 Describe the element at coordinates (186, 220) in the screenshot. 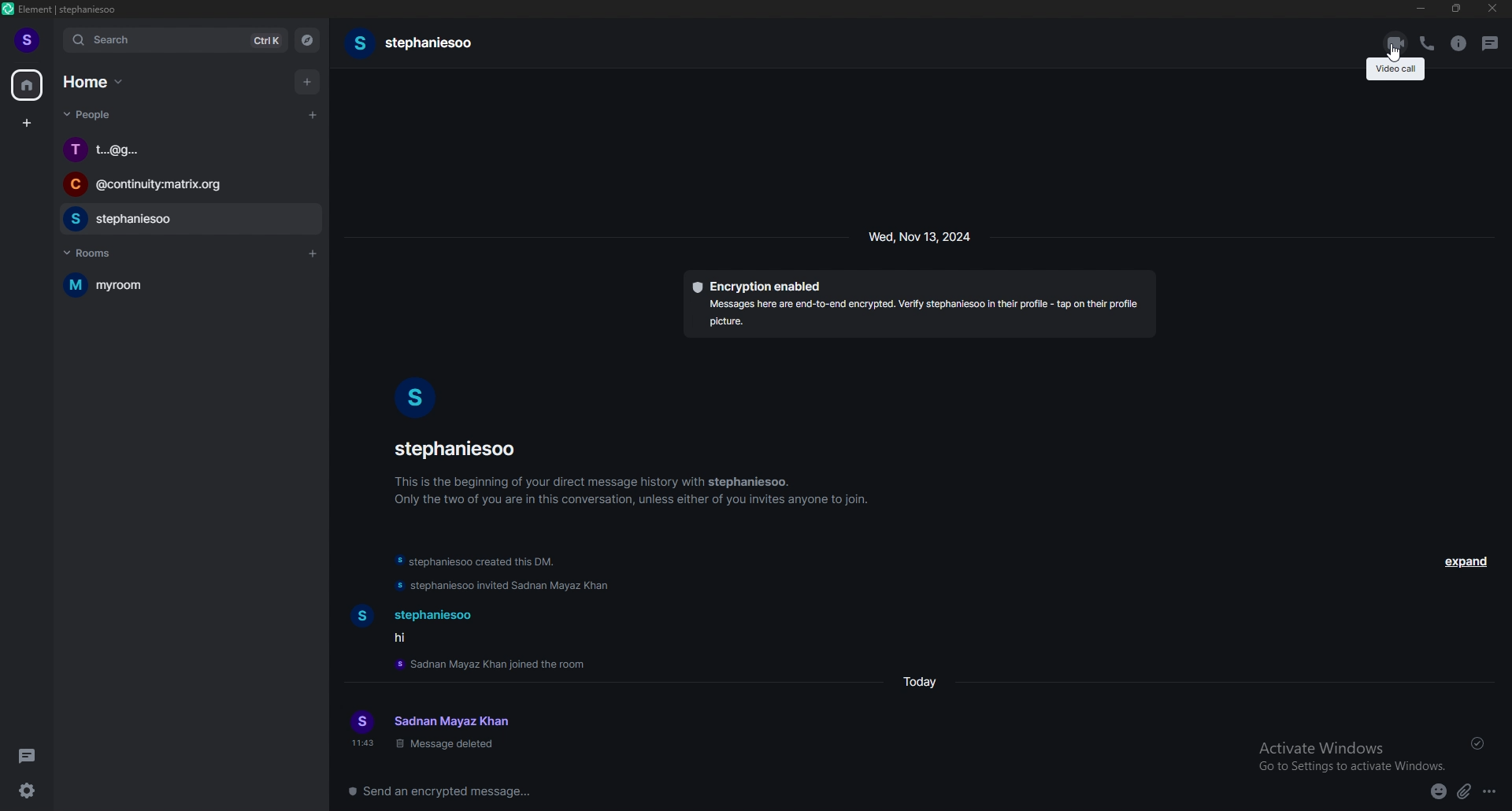

I see `chat` at that location.